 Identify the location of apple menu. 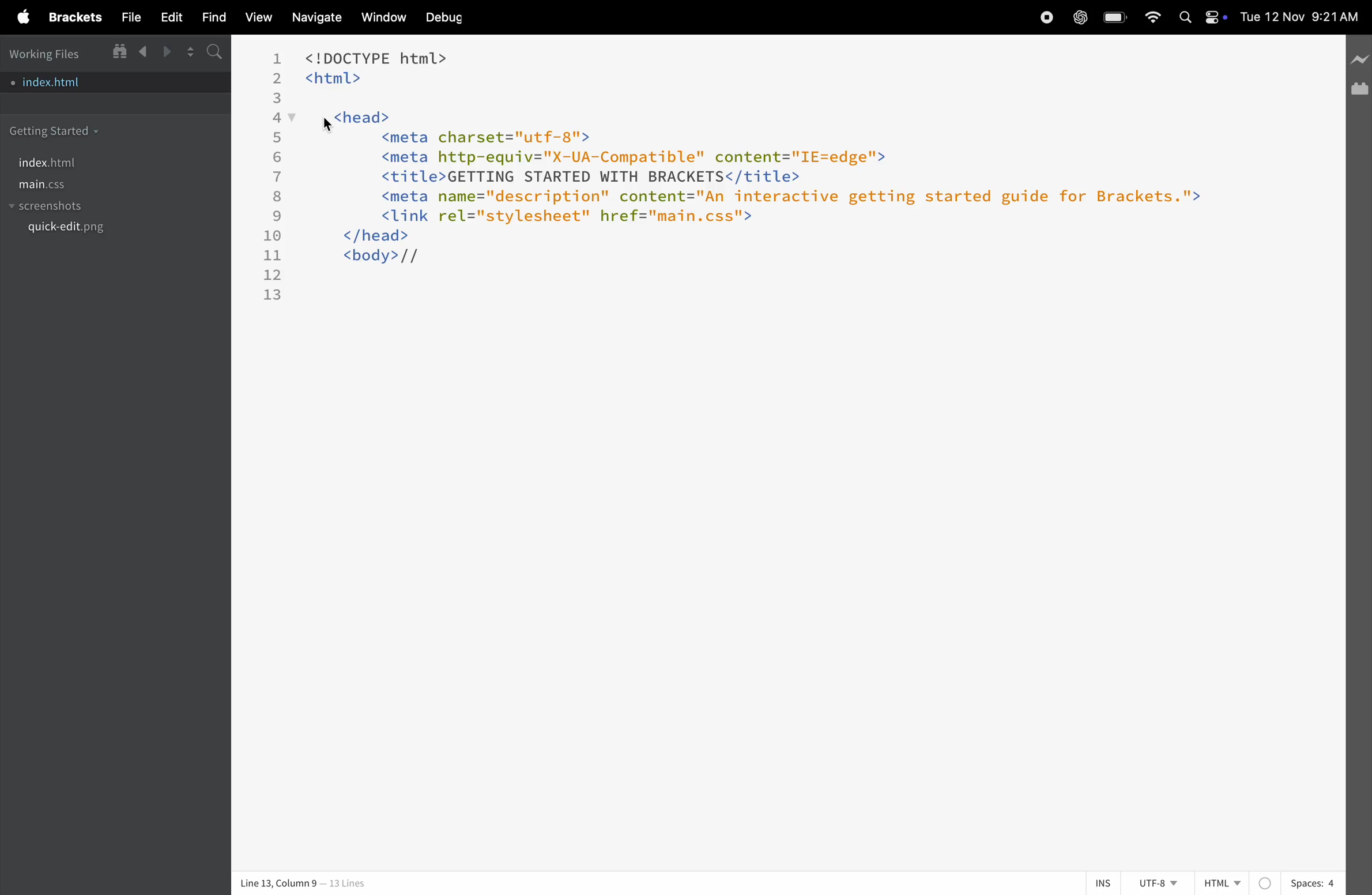
(20, 17).